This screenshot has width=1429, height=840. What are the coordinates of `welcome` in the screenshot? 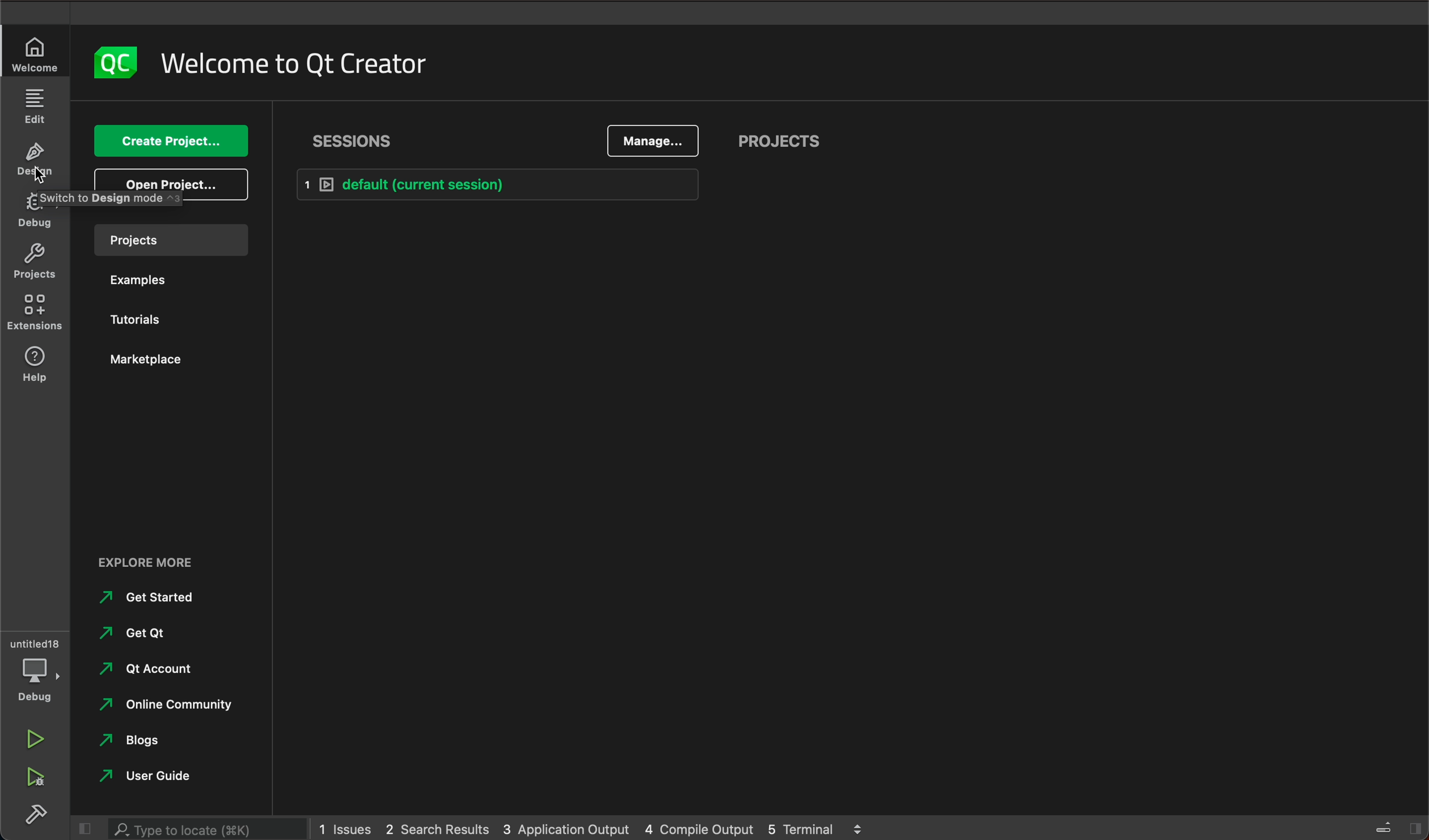 It's located at (33, 54).